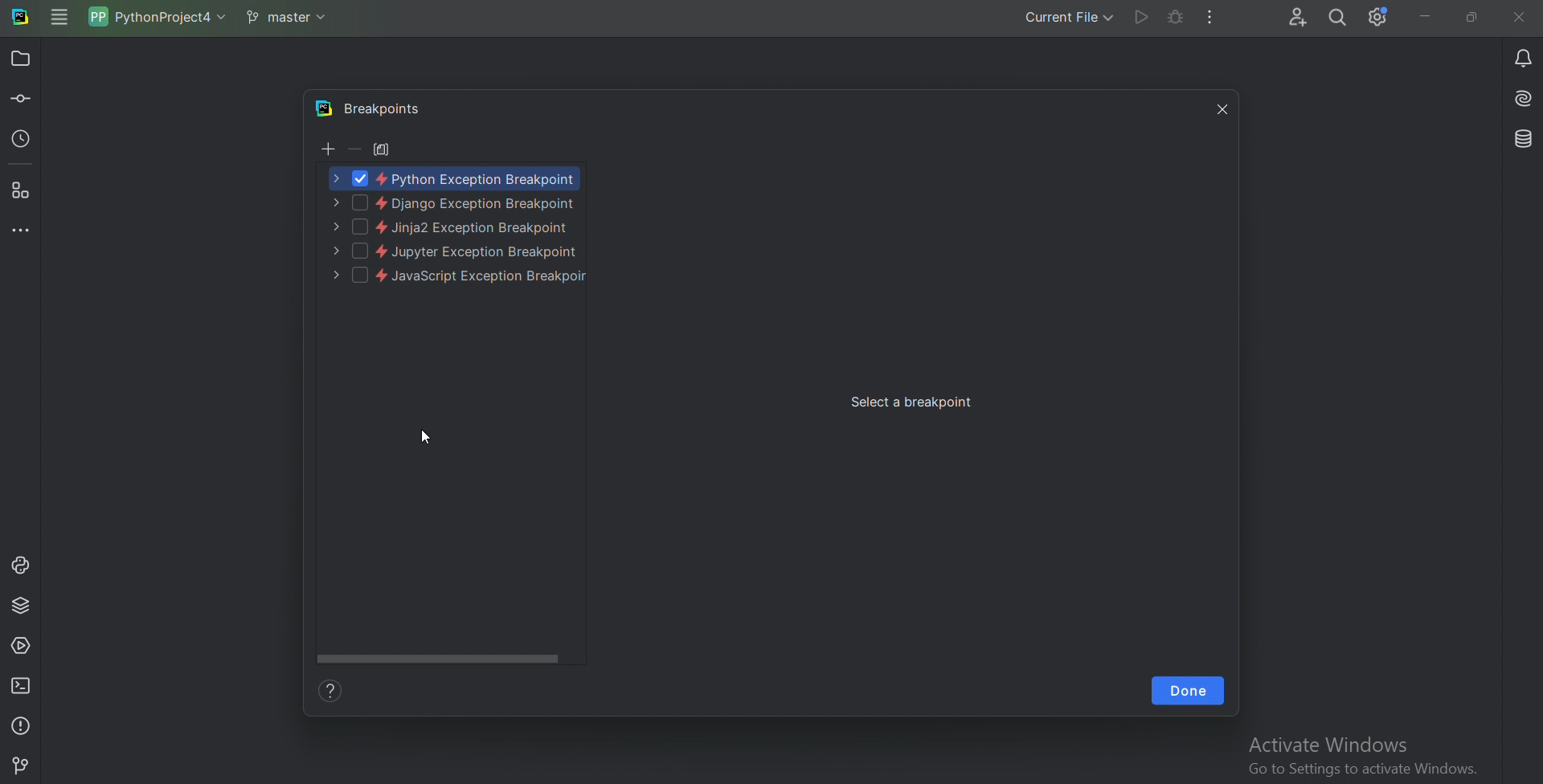  I want to click on Local history, so click(23, 142).